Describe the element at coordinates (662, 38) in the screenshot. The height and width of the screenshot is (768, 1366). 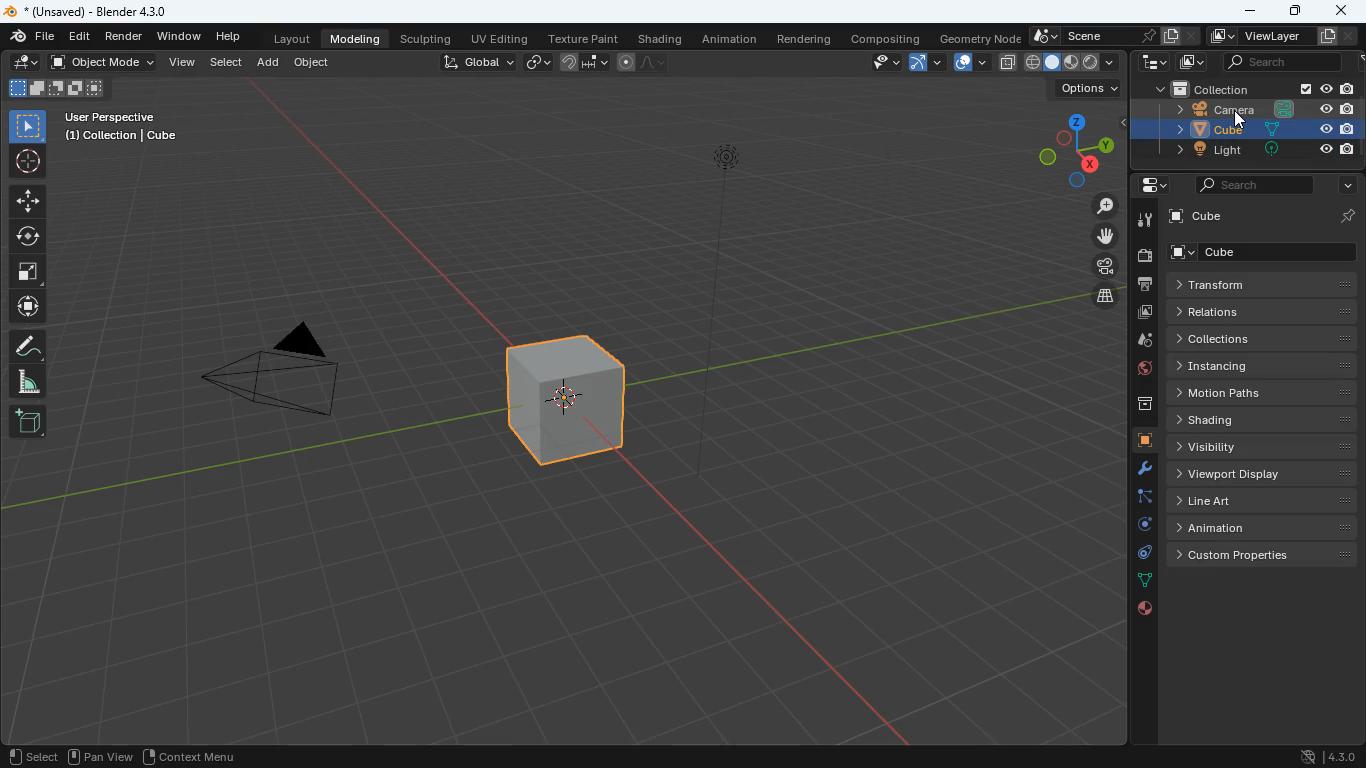
I see `shading` at that location.